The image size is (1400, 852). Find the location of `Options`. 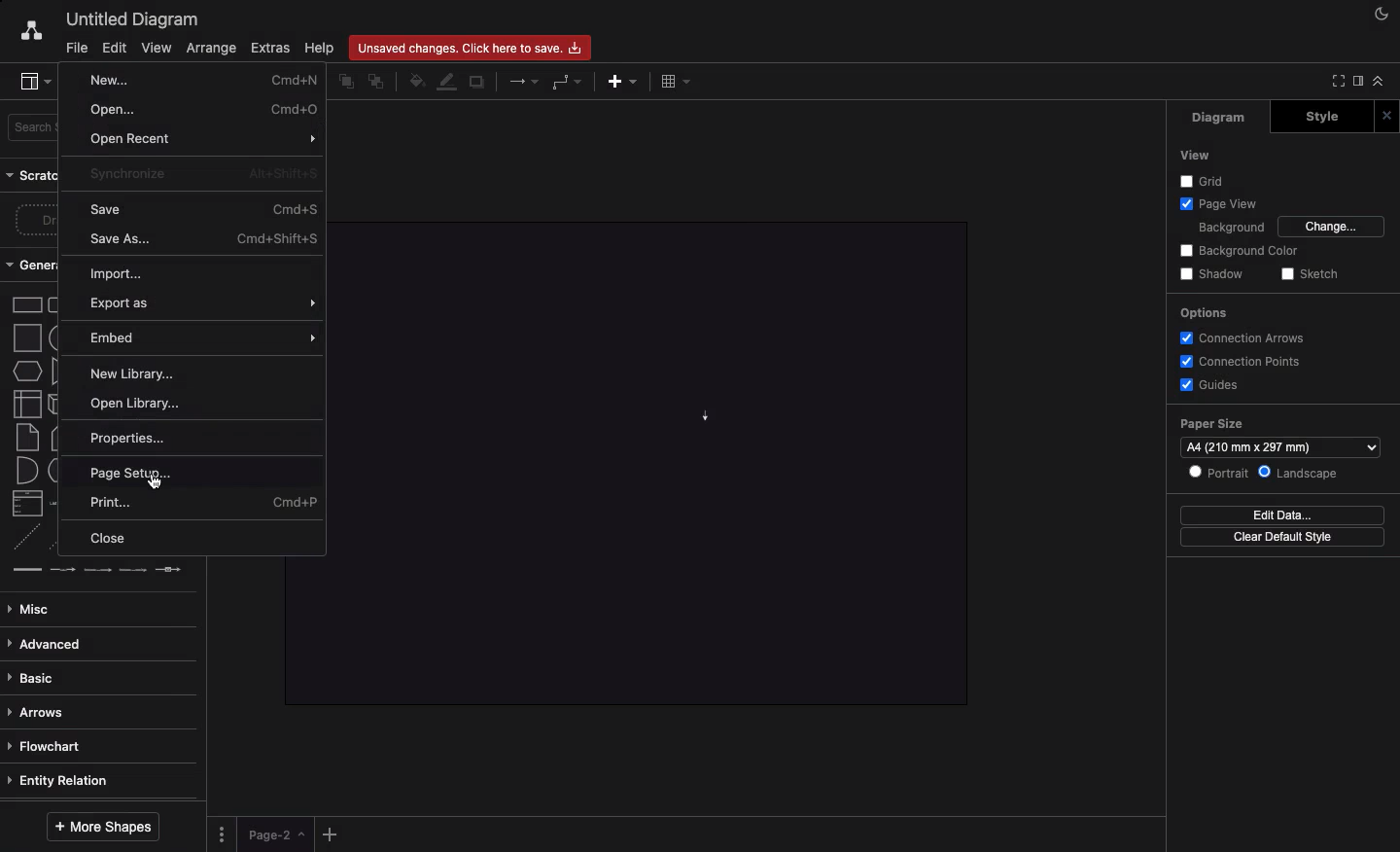

Options is located at coordinates (1203, 315).